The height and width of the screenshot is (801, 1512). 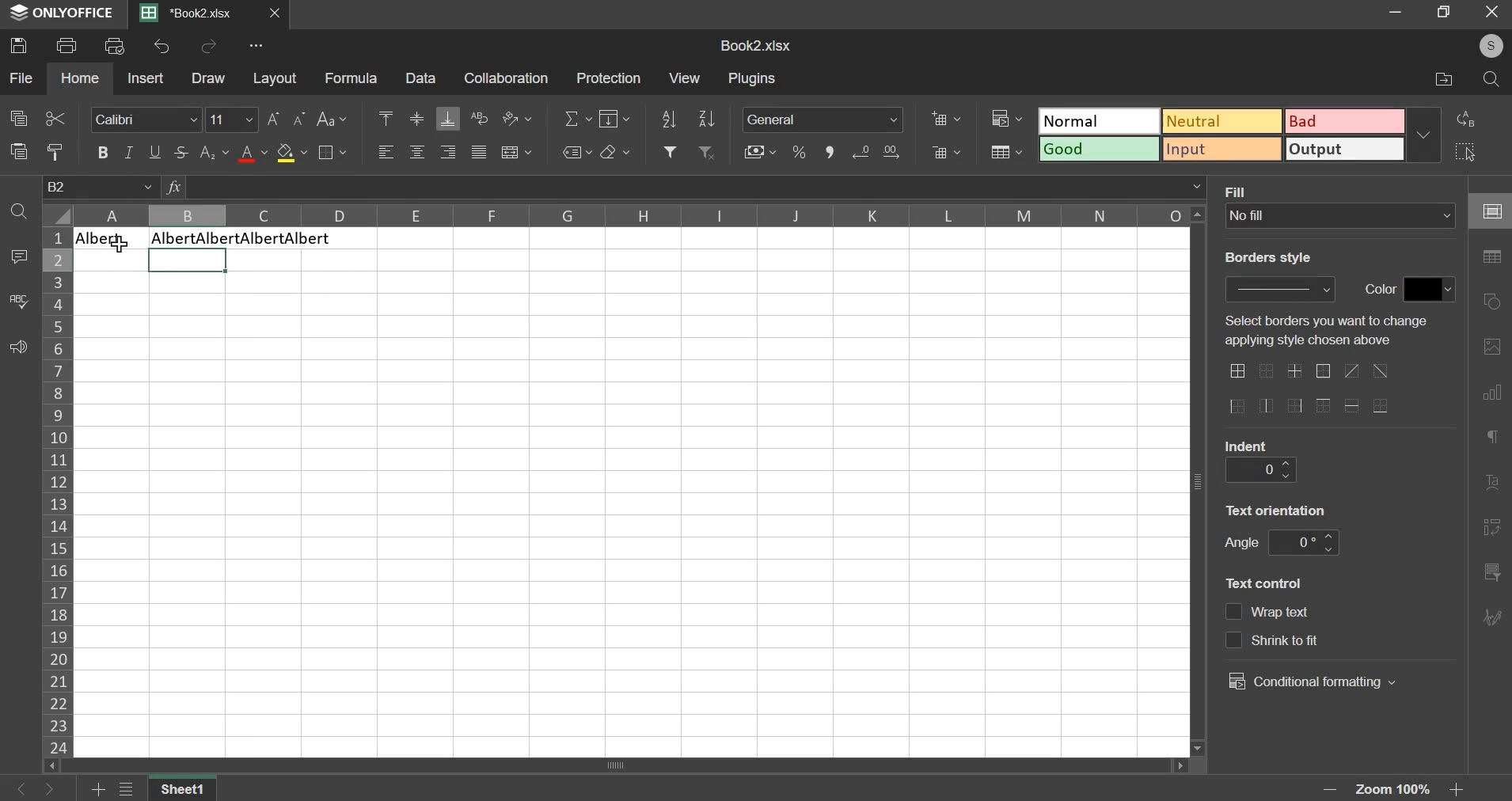 I want to click on replace, so click(x=1471, y=120).